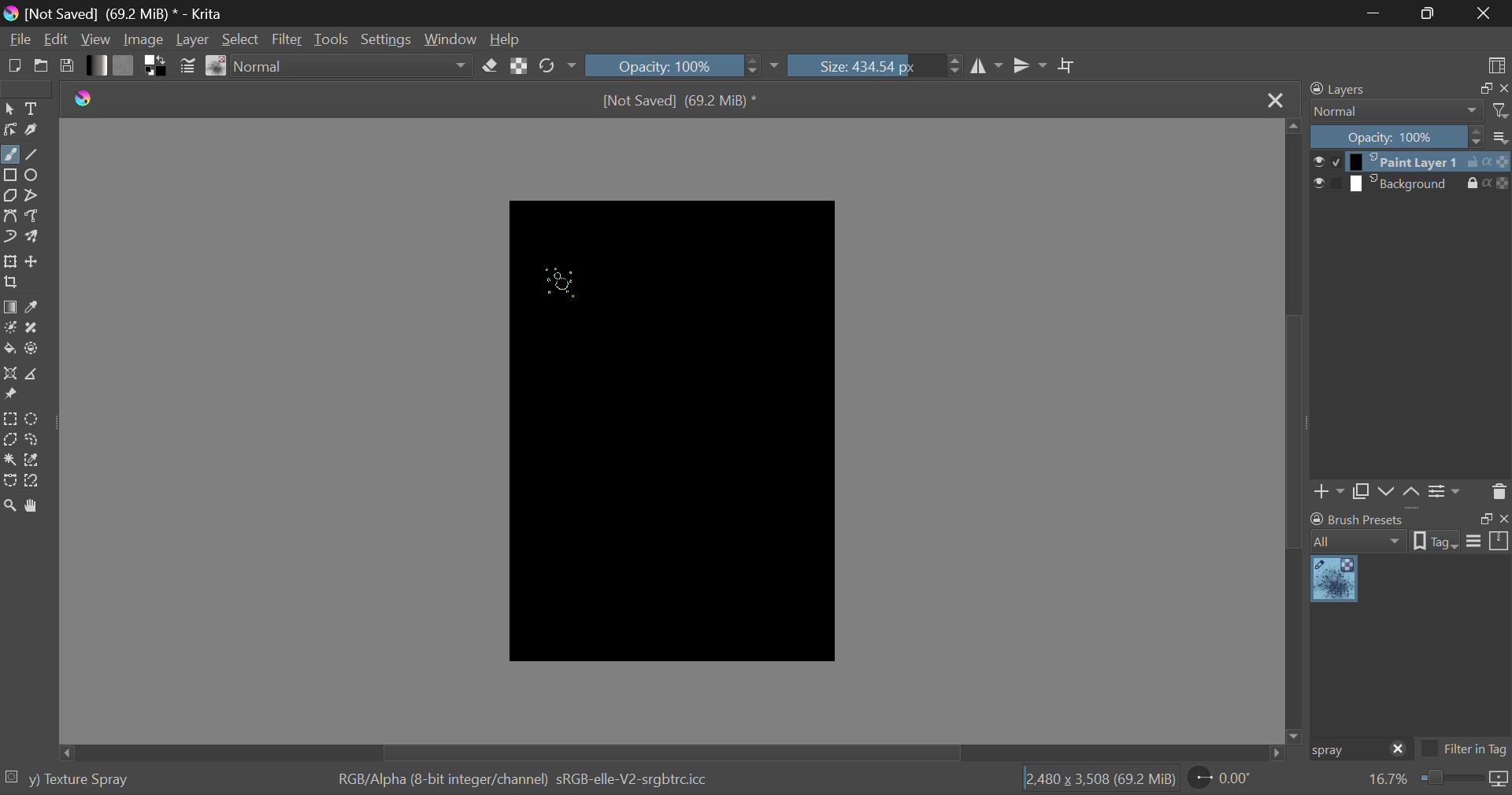  Describe the element at coordinates (11, 197) in the screenshot. I see `Polygon` at that location.